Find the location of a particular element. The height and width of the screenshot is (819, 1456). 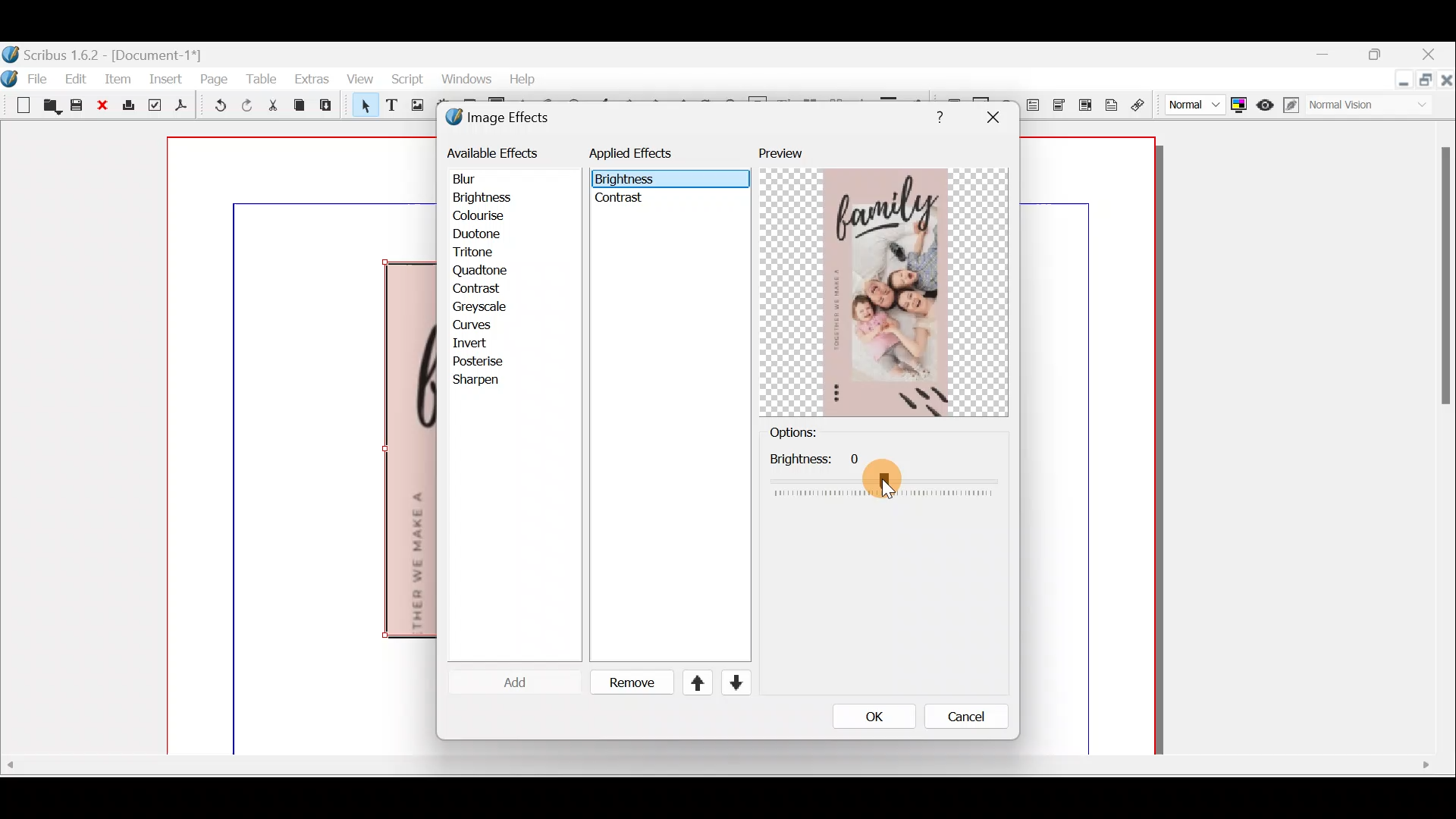

Cut is located at coordinates (272, 108).